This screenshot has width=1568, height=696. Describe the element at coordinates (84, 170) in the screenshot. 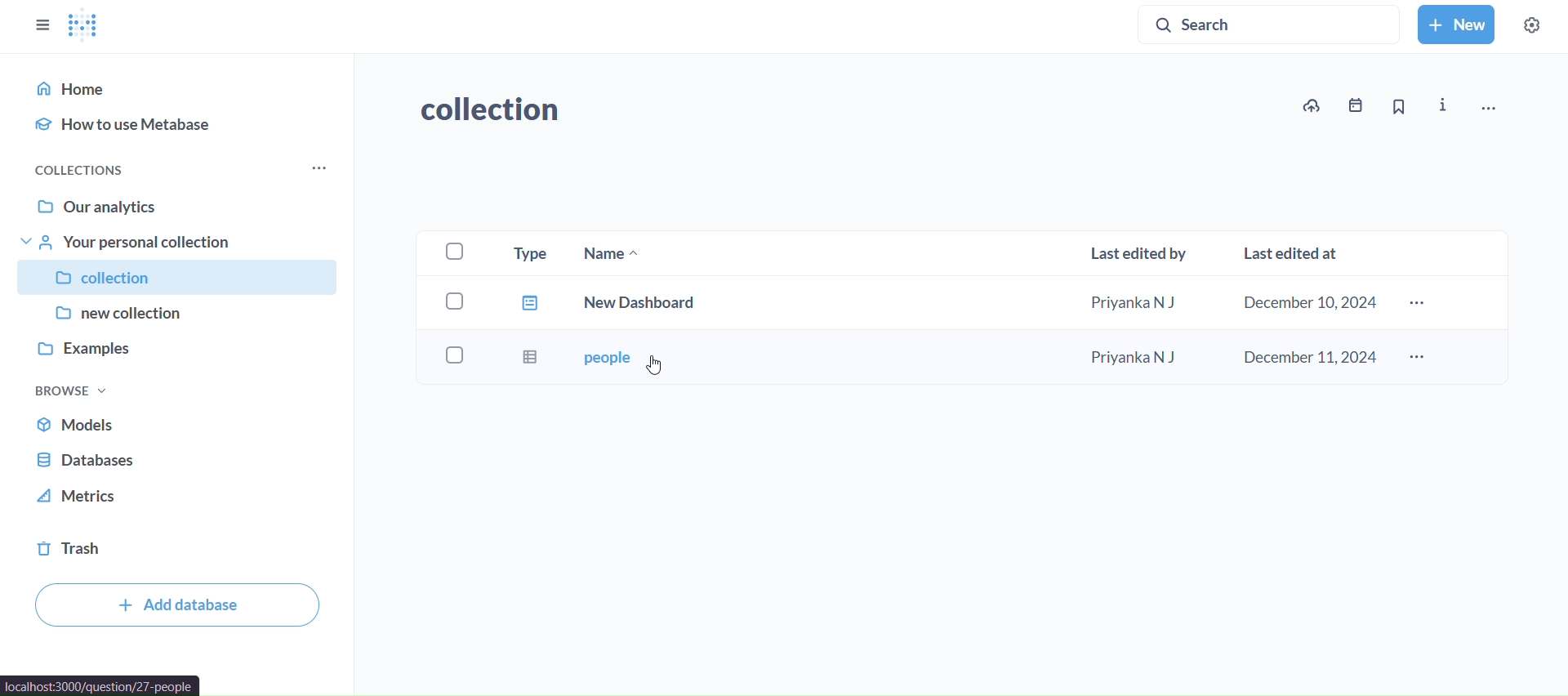

I see `collections` at that location.